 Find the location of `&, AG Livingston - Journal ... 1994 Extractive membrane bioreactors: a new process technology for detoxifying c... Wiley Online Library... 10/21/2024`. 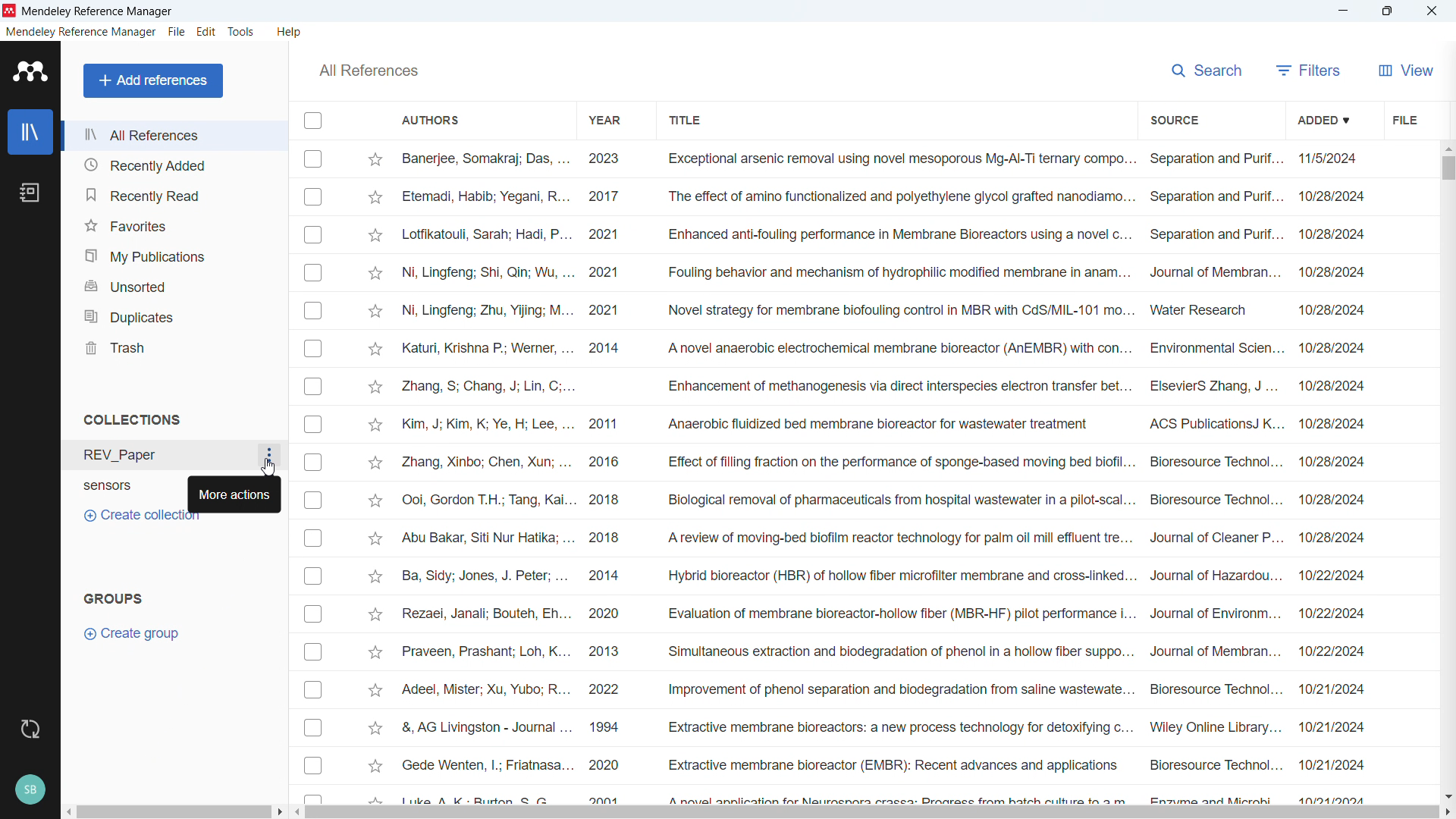

&, AG Livingston - Journal ... 1994 Extractive membrane bioreactors: a new process technology for detoxifying c... Wiley Online Library... 10/21/2024 is located at coordinates (883, 726).